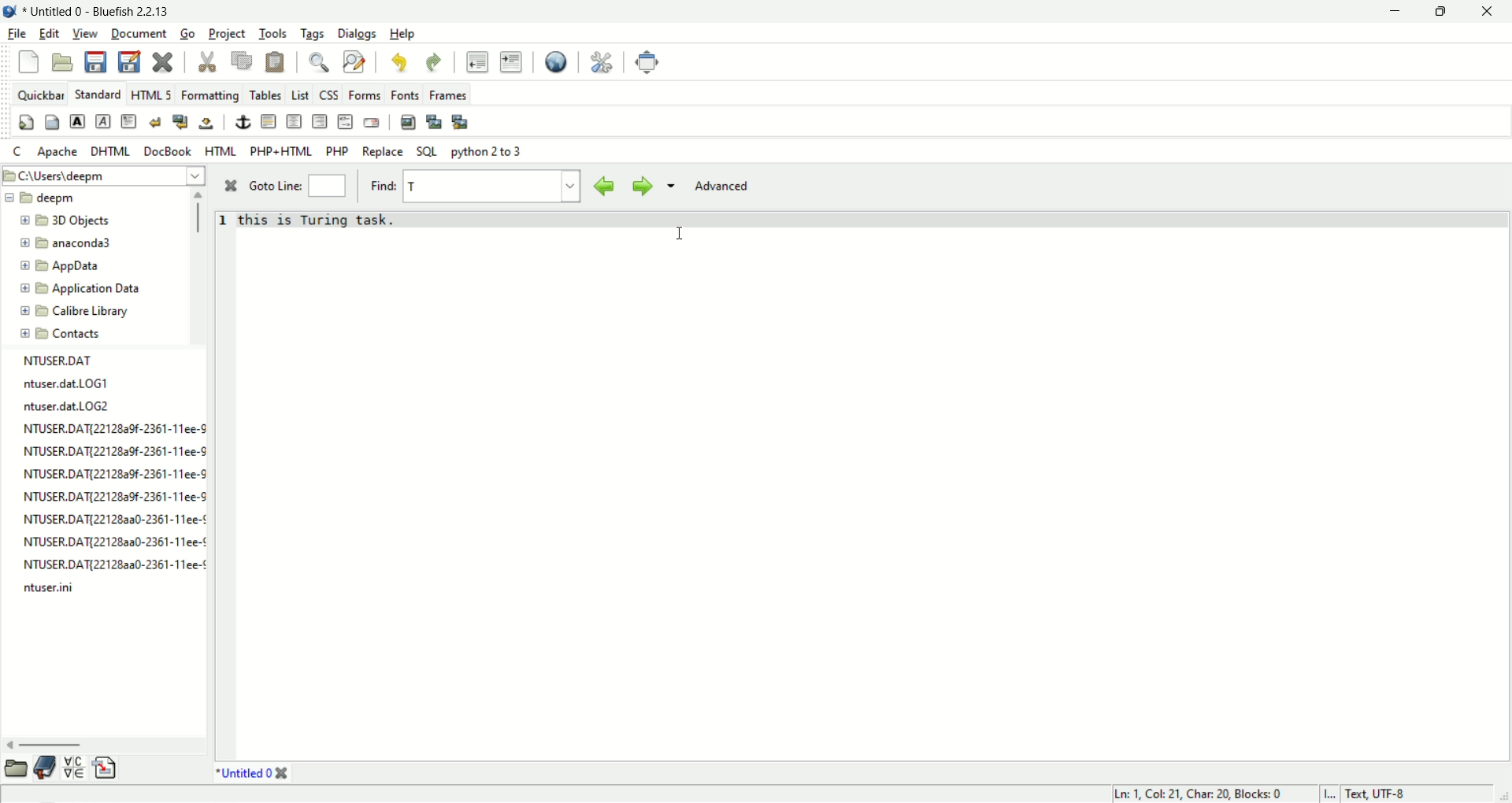  What do you see at coordinates (109, 483) in the screenshot?
I see `file list` at bounding box center [109, 483].